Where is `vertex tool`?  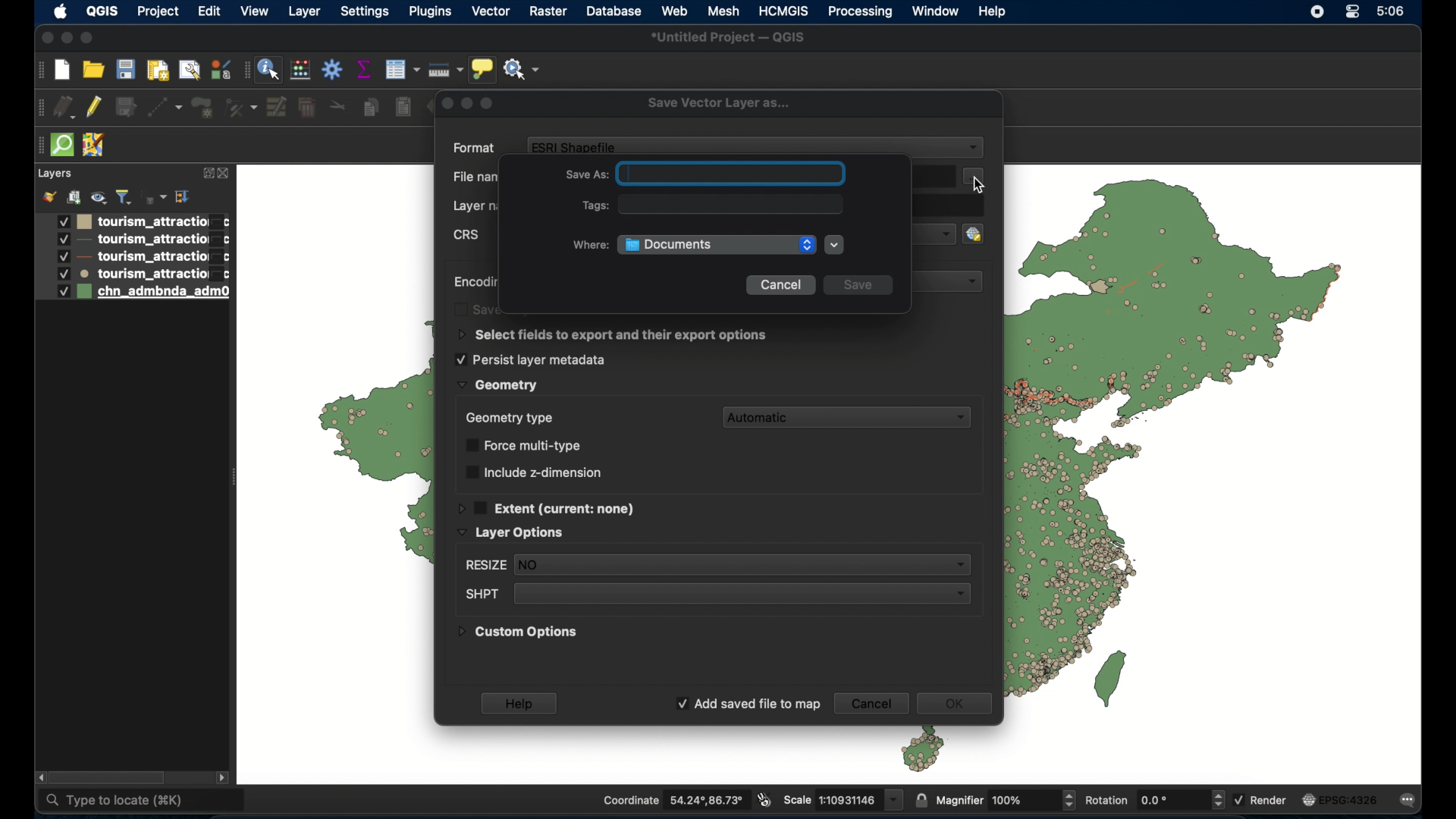
vertex tool is located at coordinates (243, 108).